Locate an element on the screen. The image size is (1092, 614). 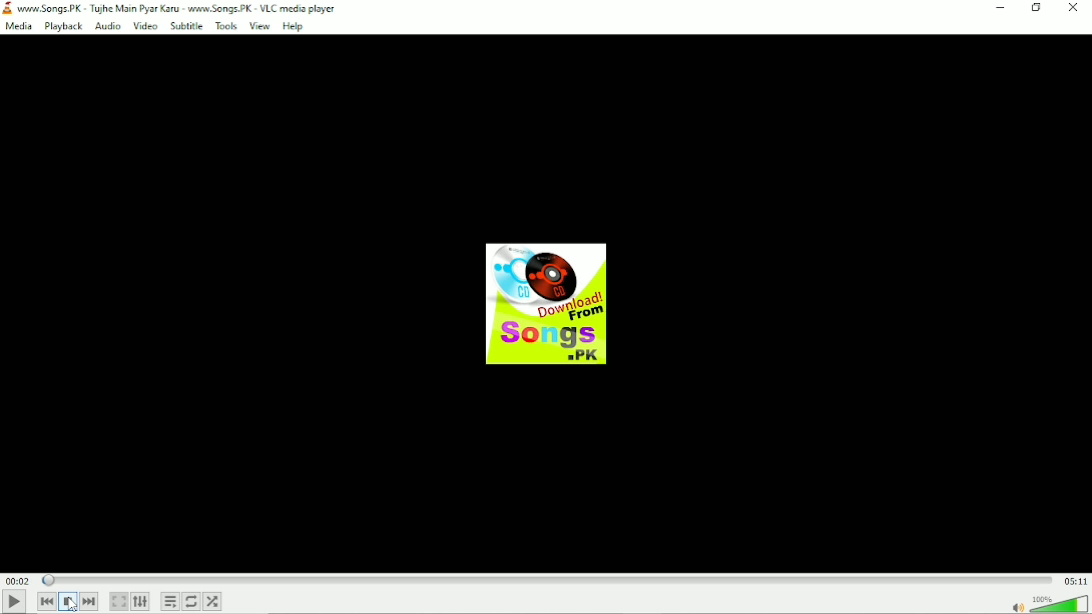
Play is located at coordinates (12, 601).